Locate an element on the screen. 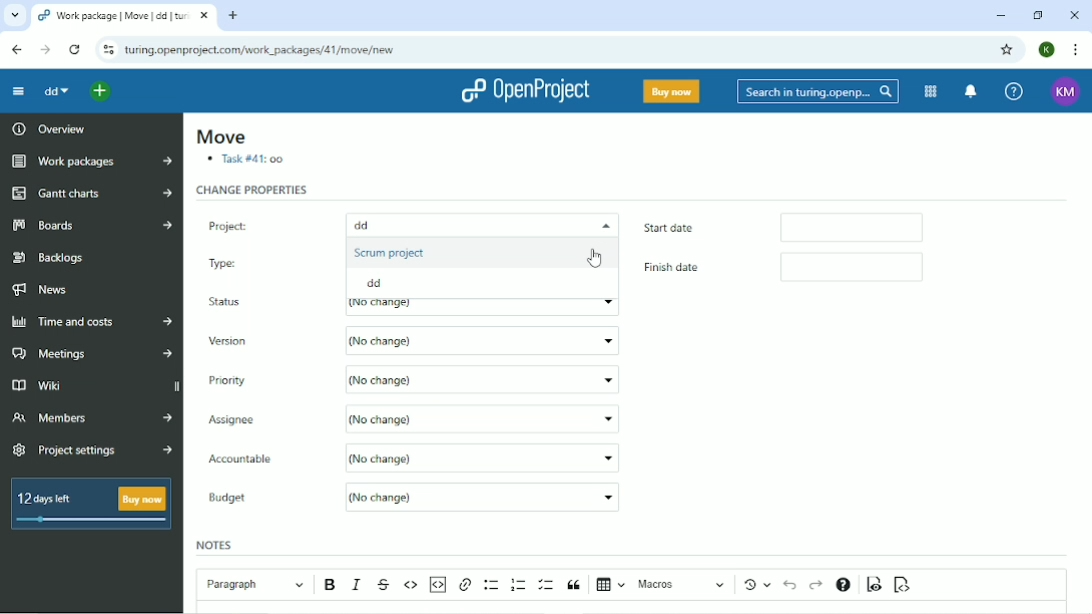 The height and width of the screenshot is (614, 1092). Notes is located at coordinates (216, 544).